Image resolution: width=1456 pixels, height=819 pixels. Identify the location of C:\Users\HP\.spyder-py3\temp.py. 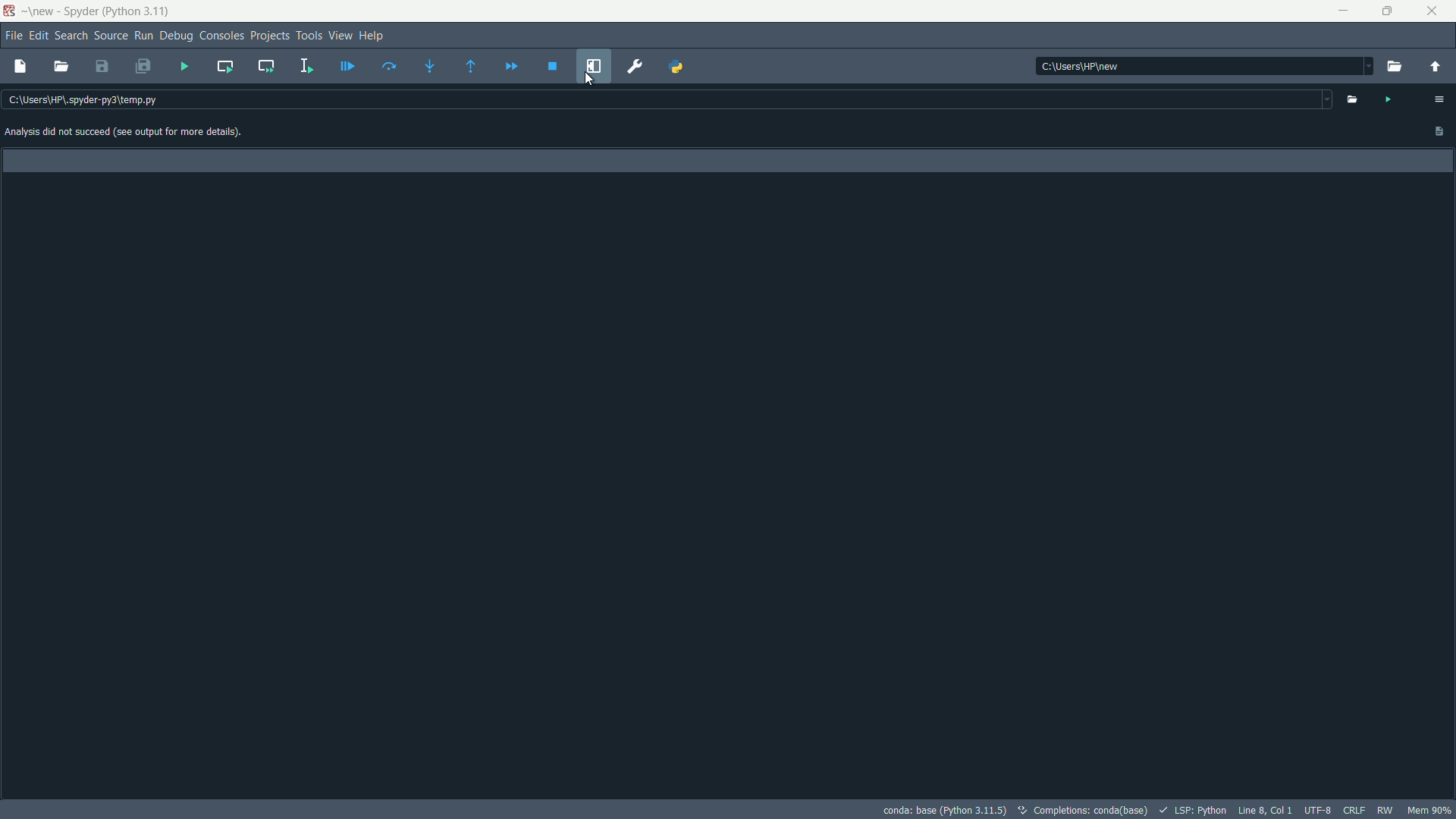
(105, 101).